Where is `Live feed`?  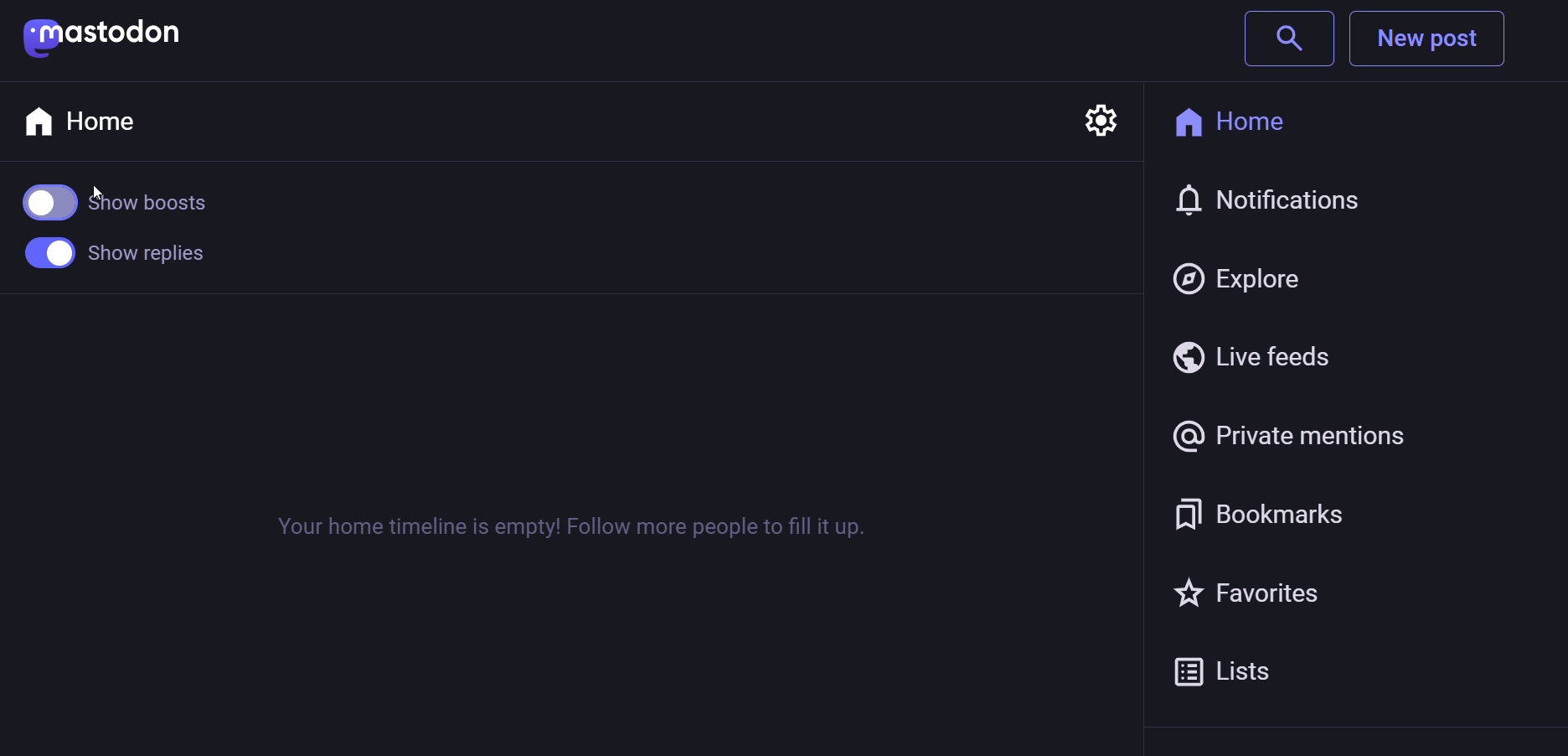
Live feed is located at coordinates (1251, 355).